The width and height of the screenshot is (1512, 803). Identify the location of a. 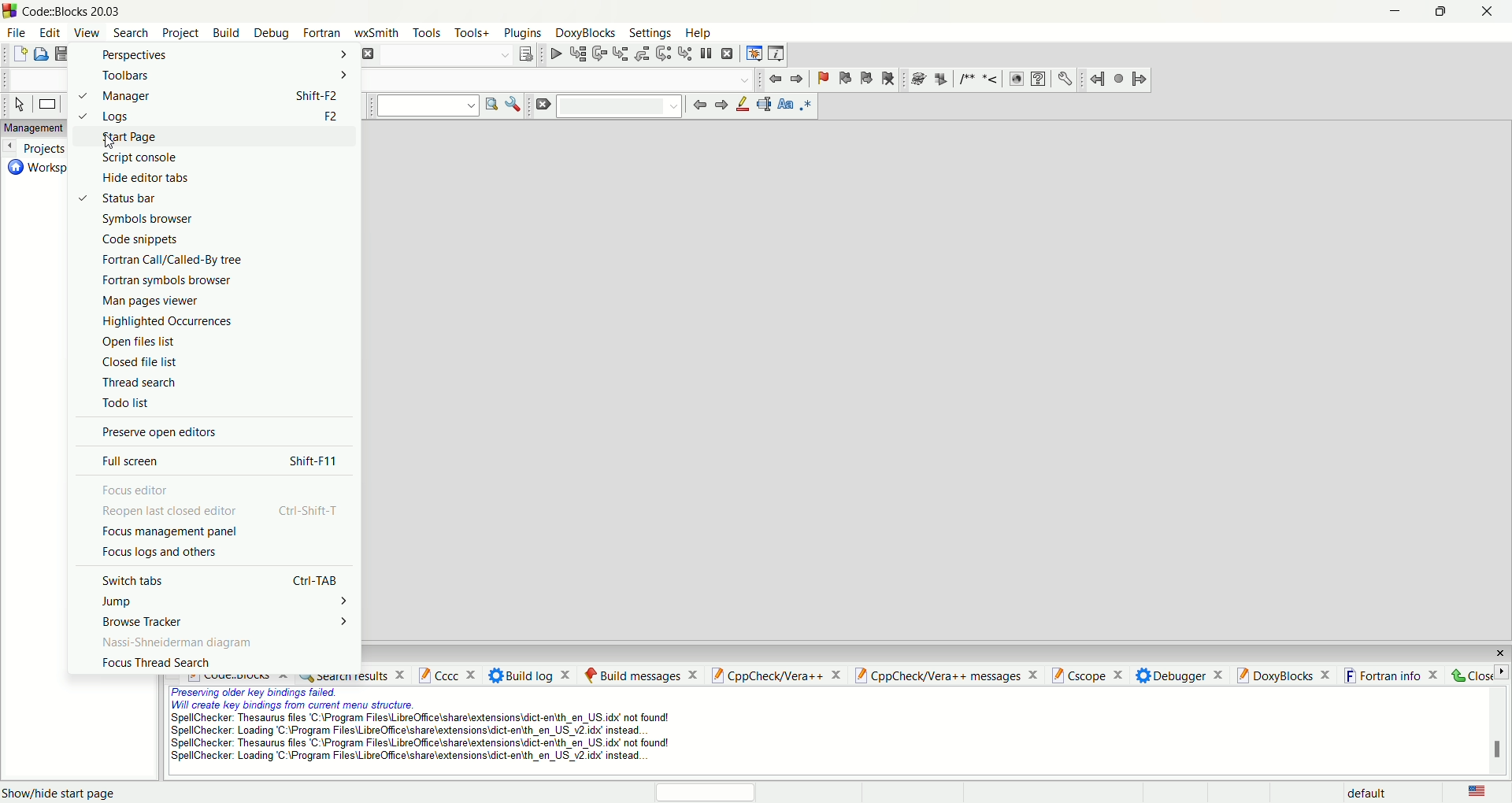
(367, 54).